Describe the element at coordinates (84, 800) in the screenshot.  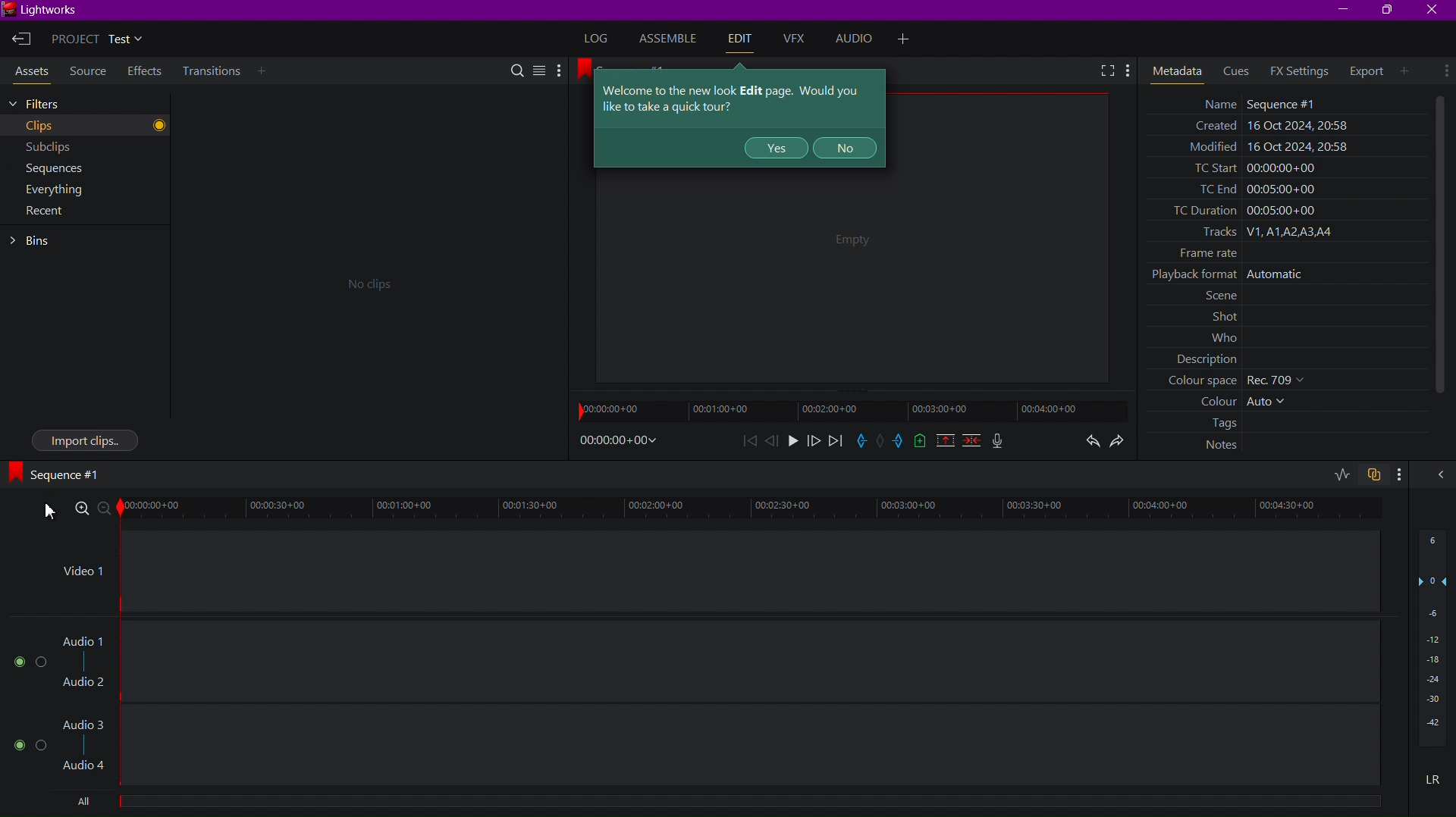
I see `All` at that location.